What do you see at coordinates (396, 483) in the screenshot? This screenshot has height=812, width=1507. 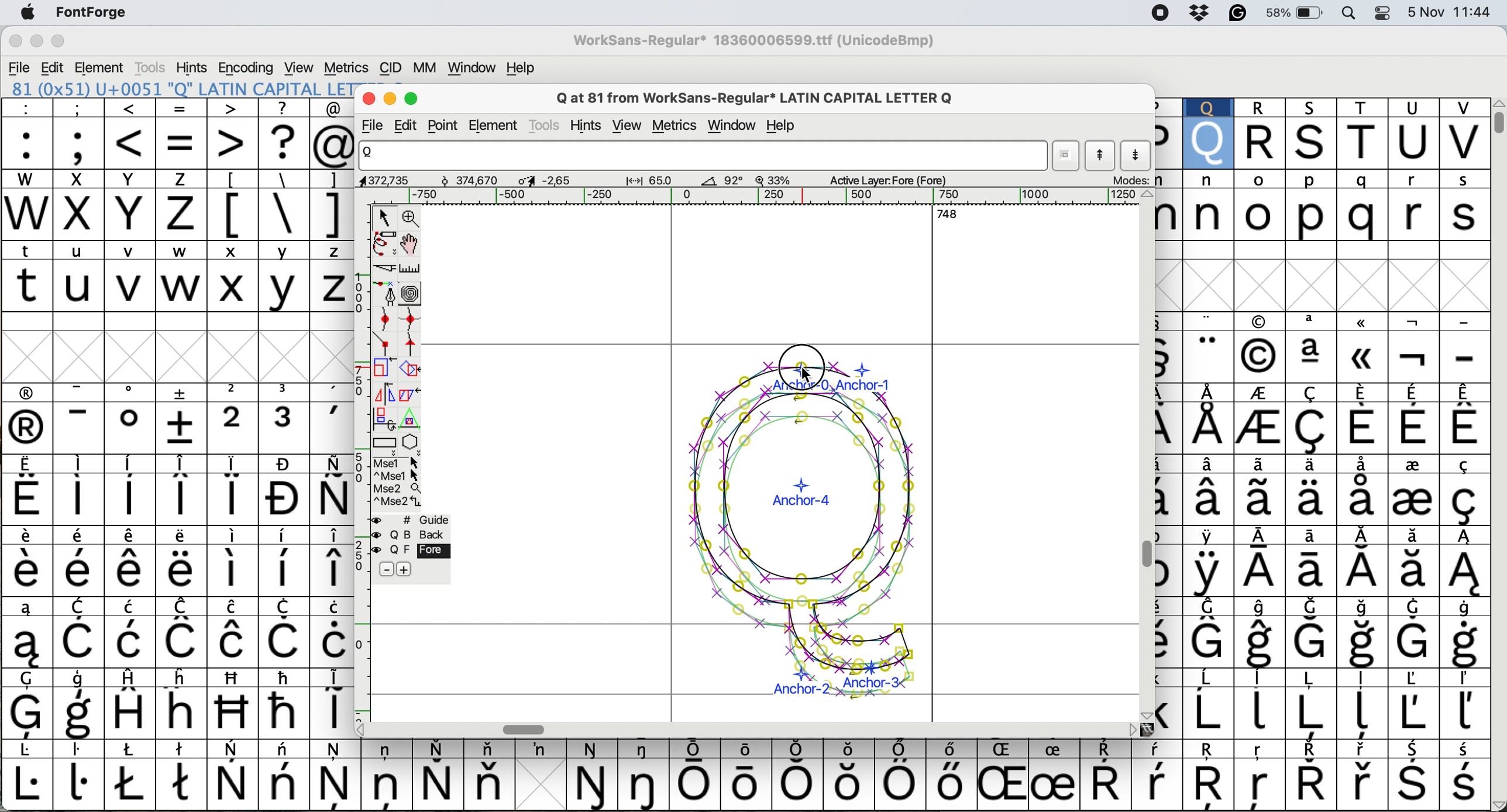 I see `more options` at bounding box center [396, 483].